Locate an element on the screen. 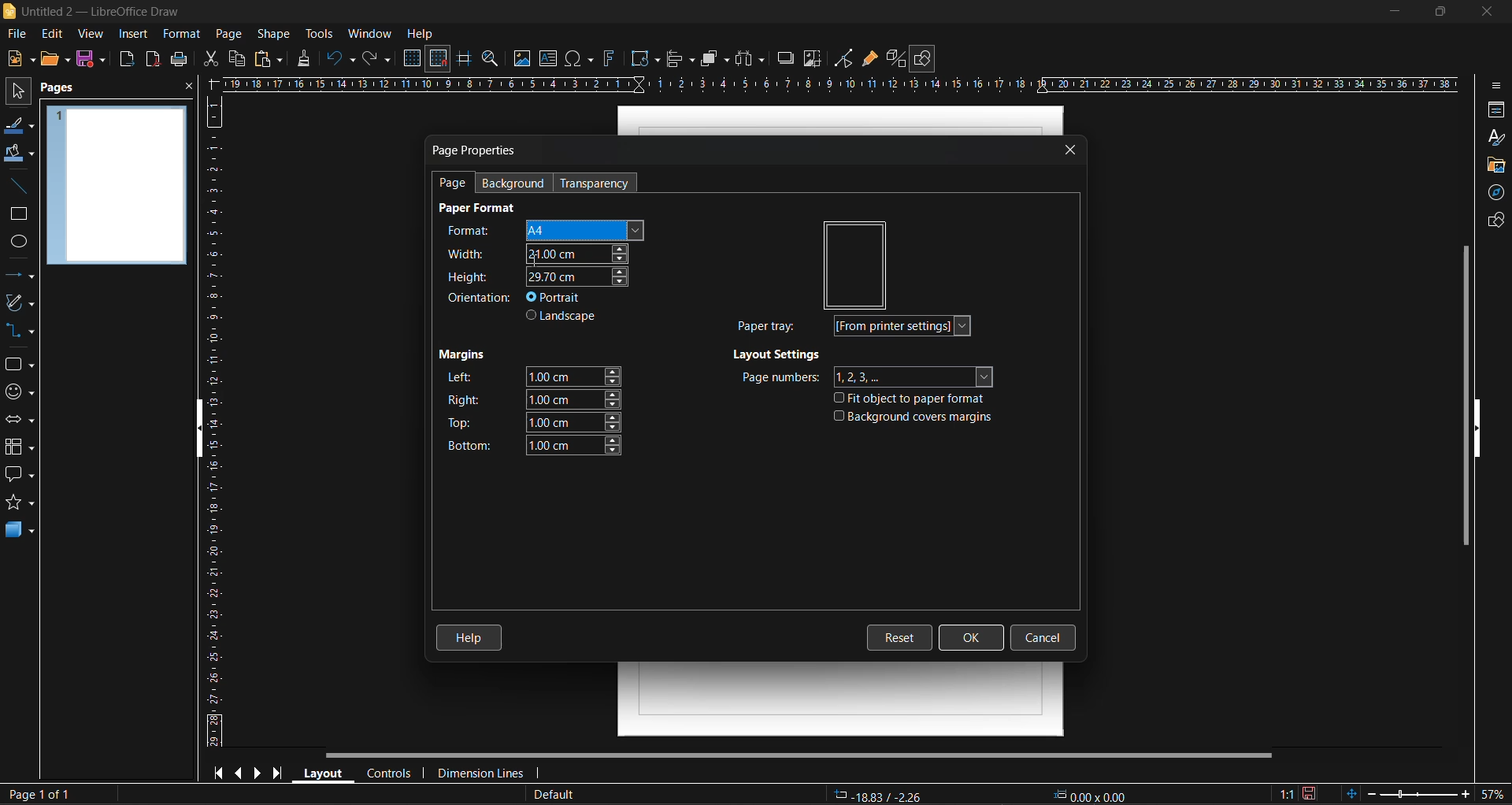  page is located at coordinates (232, 33).